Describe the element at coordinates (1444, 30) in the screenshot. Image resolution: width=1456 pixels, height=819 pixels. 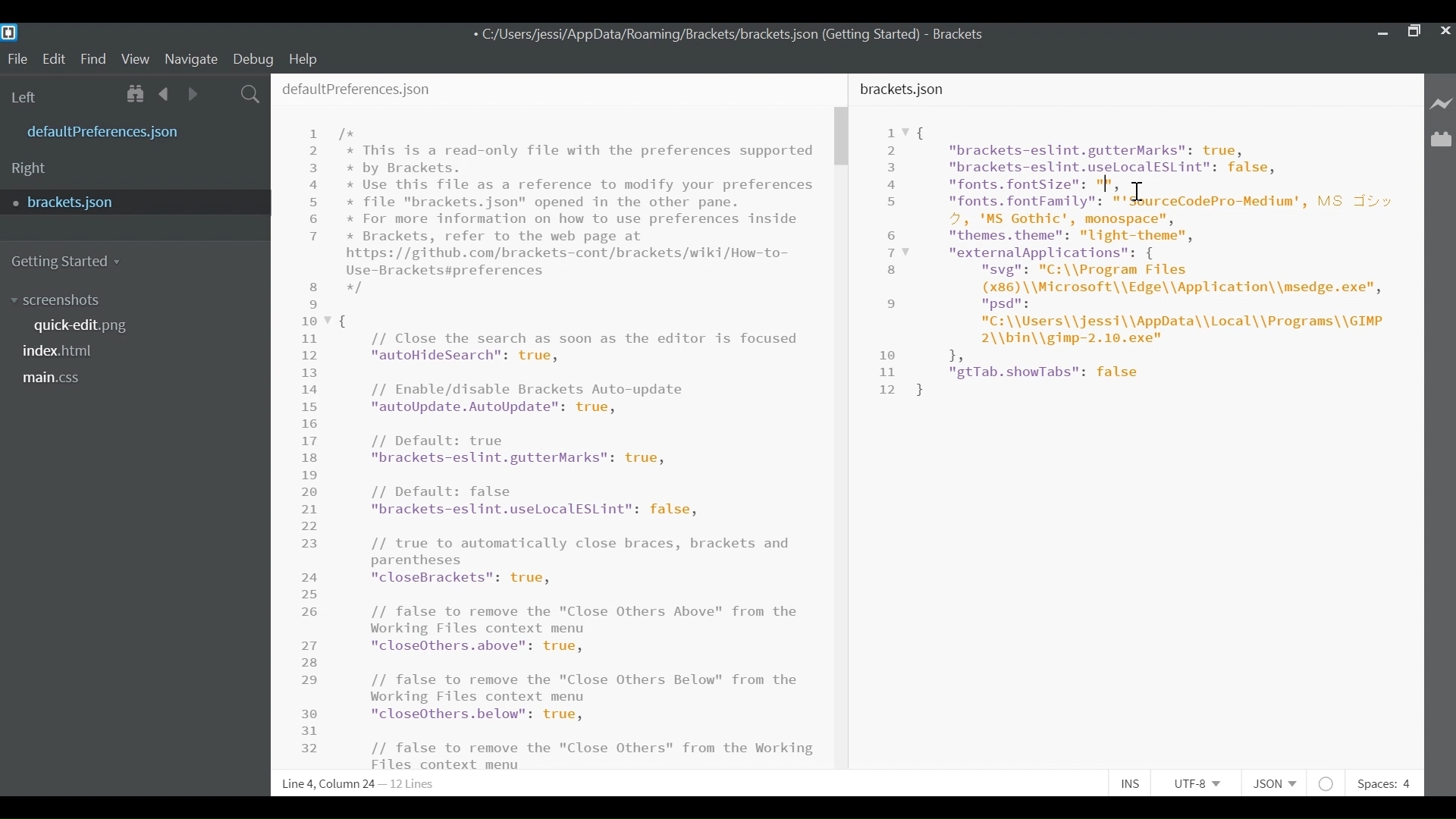
I see `Close` at that location.